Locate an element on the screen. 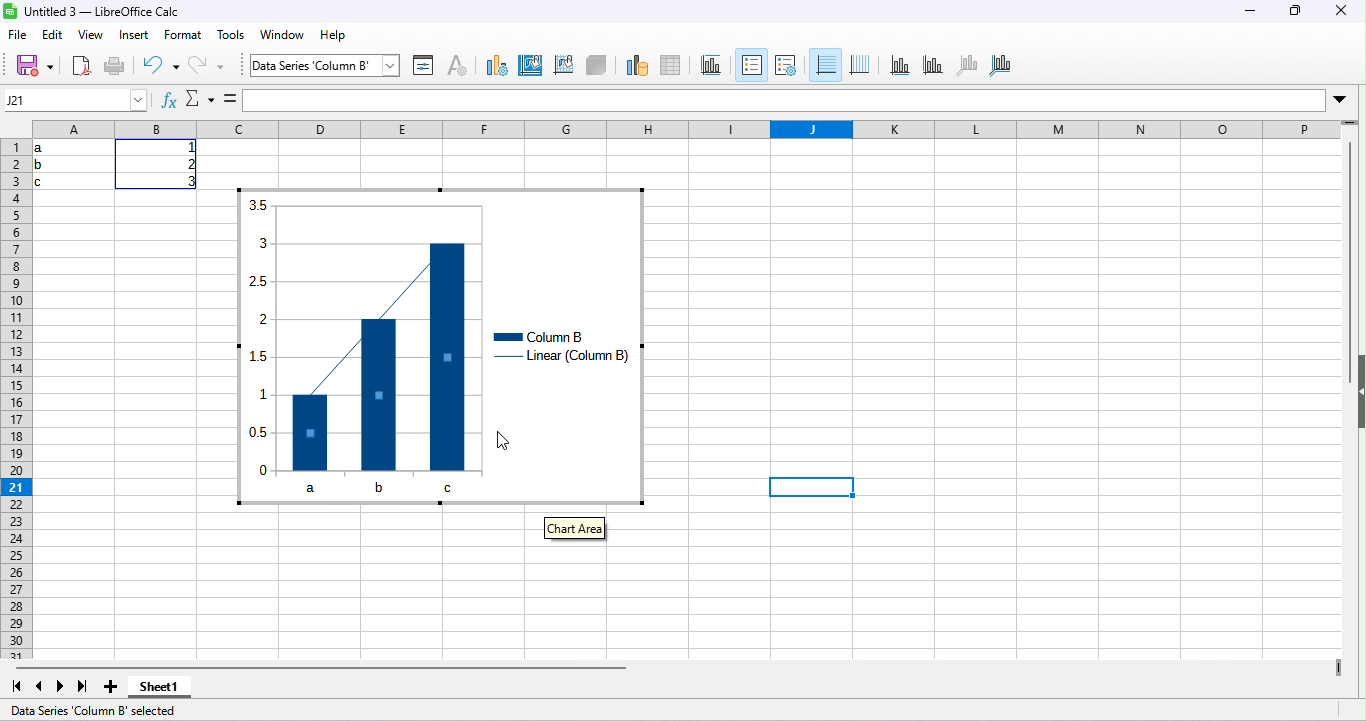  legends on/off is located at coordinates (753, 62).